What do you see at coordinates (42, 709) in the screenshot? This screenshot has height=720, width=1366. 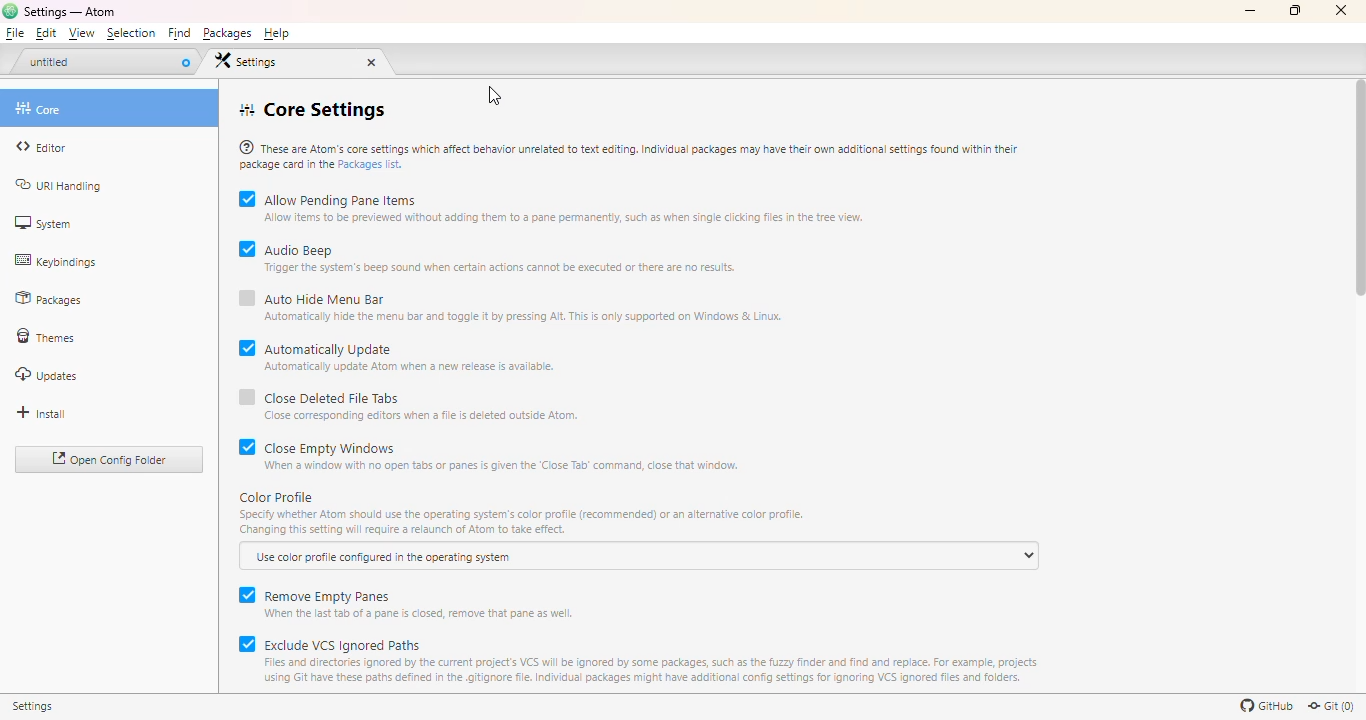 I see `settings` at bounding box center [42, 709].